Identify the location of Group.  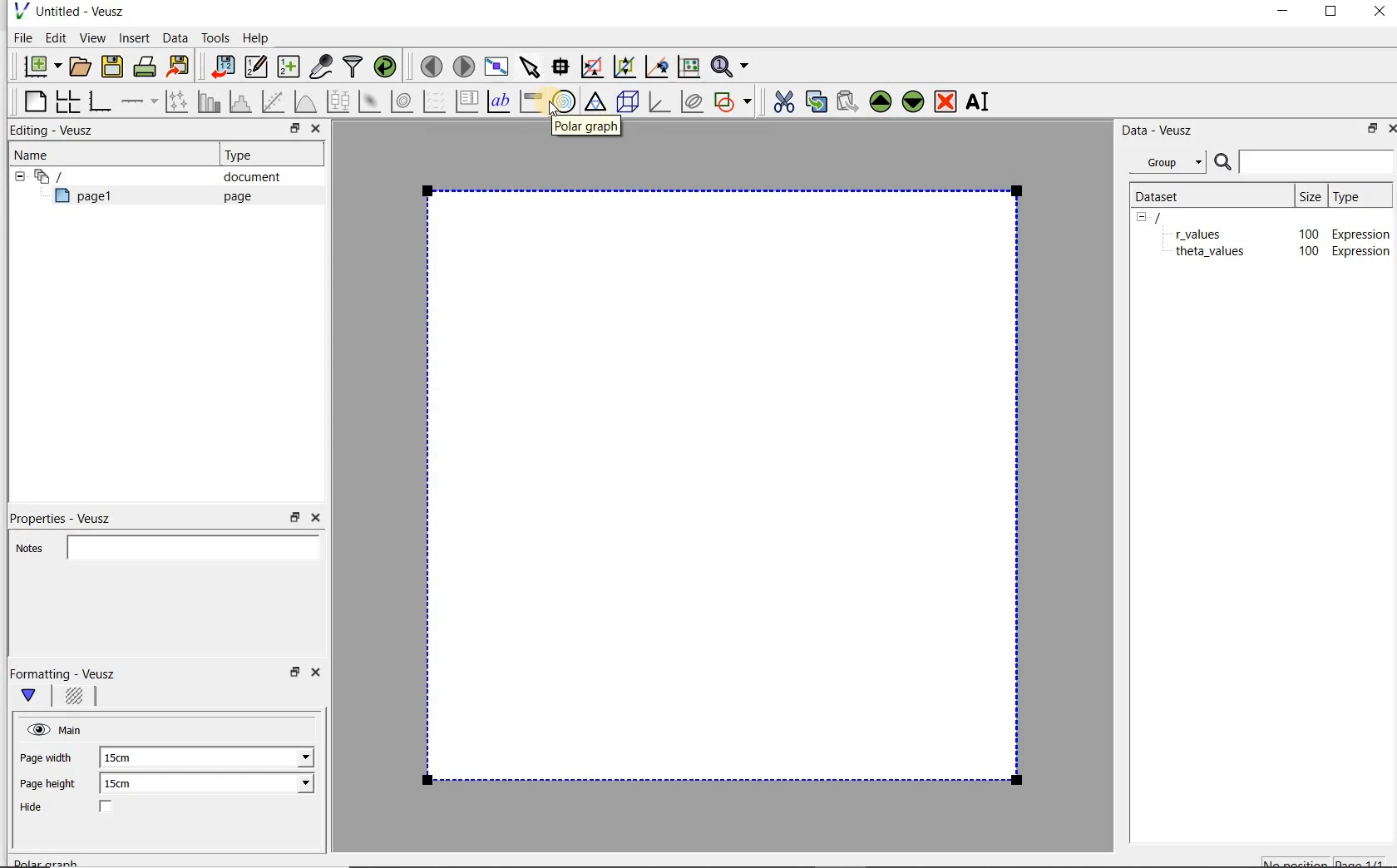
(1172, 165).